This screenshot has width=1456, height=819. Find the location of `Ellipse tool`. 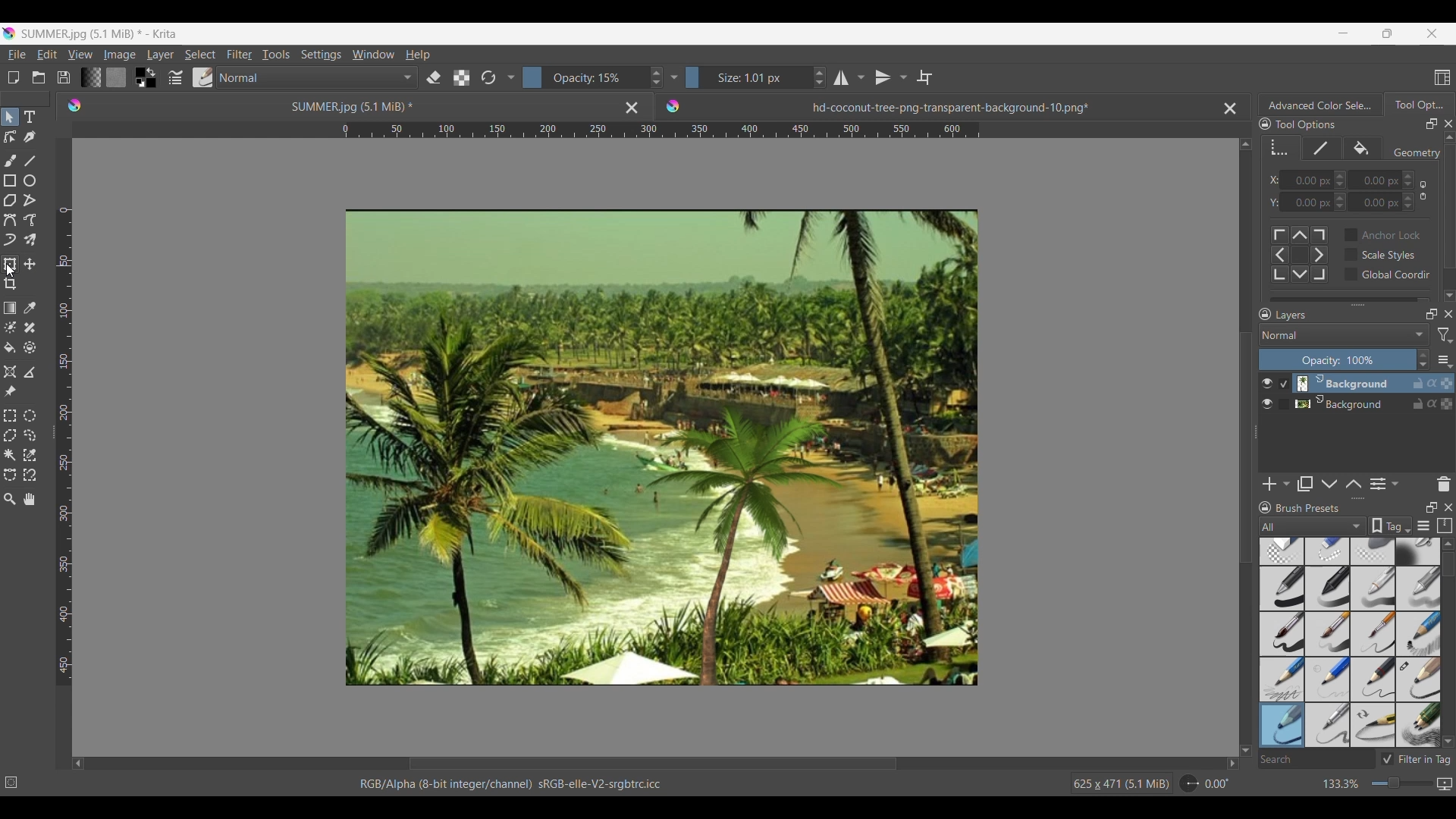

Ellipse tool is located at coordinates (29, 180).